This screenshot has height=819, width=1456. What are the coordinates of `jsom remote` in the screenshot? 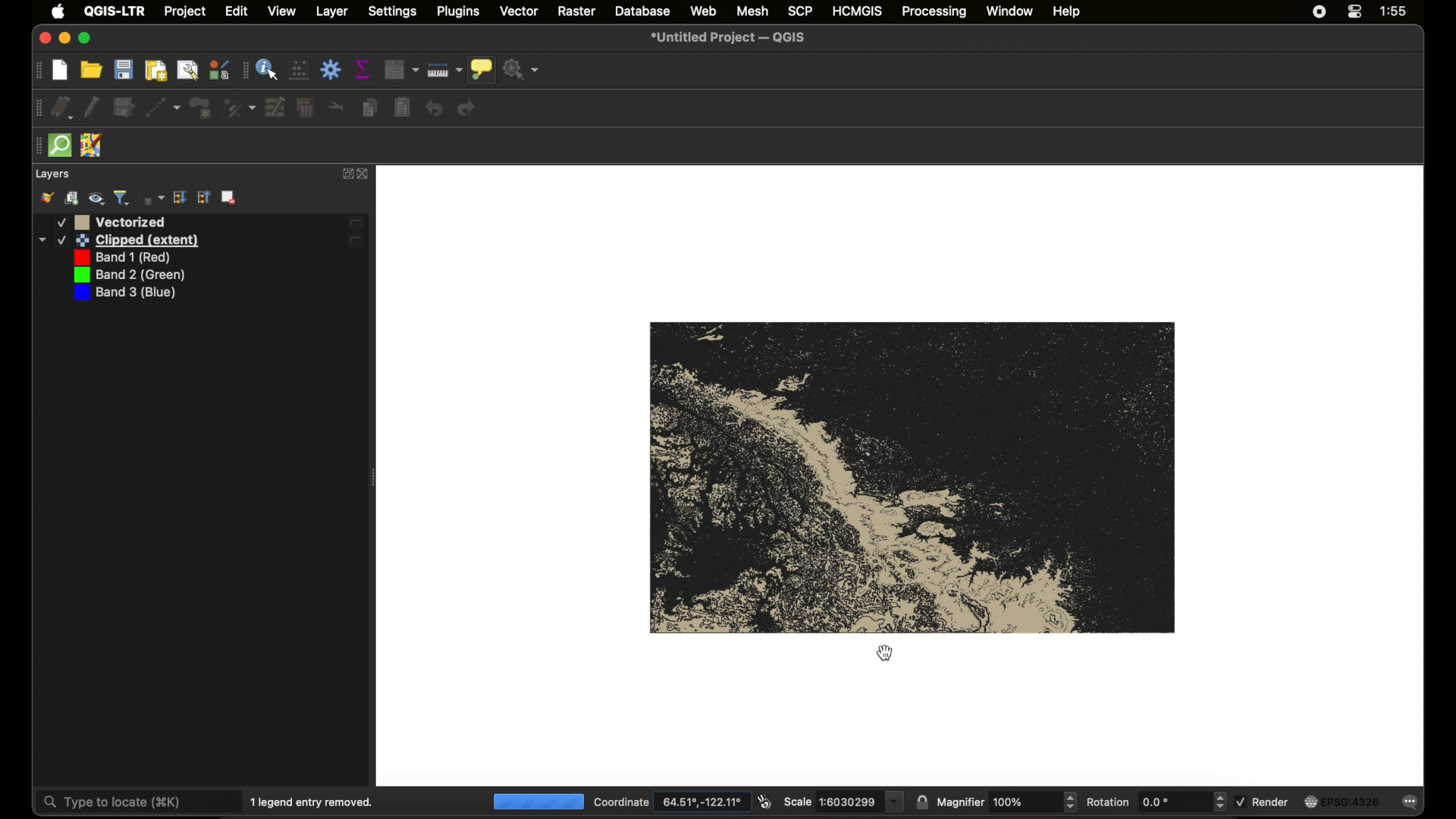 It's located at (91, 146).